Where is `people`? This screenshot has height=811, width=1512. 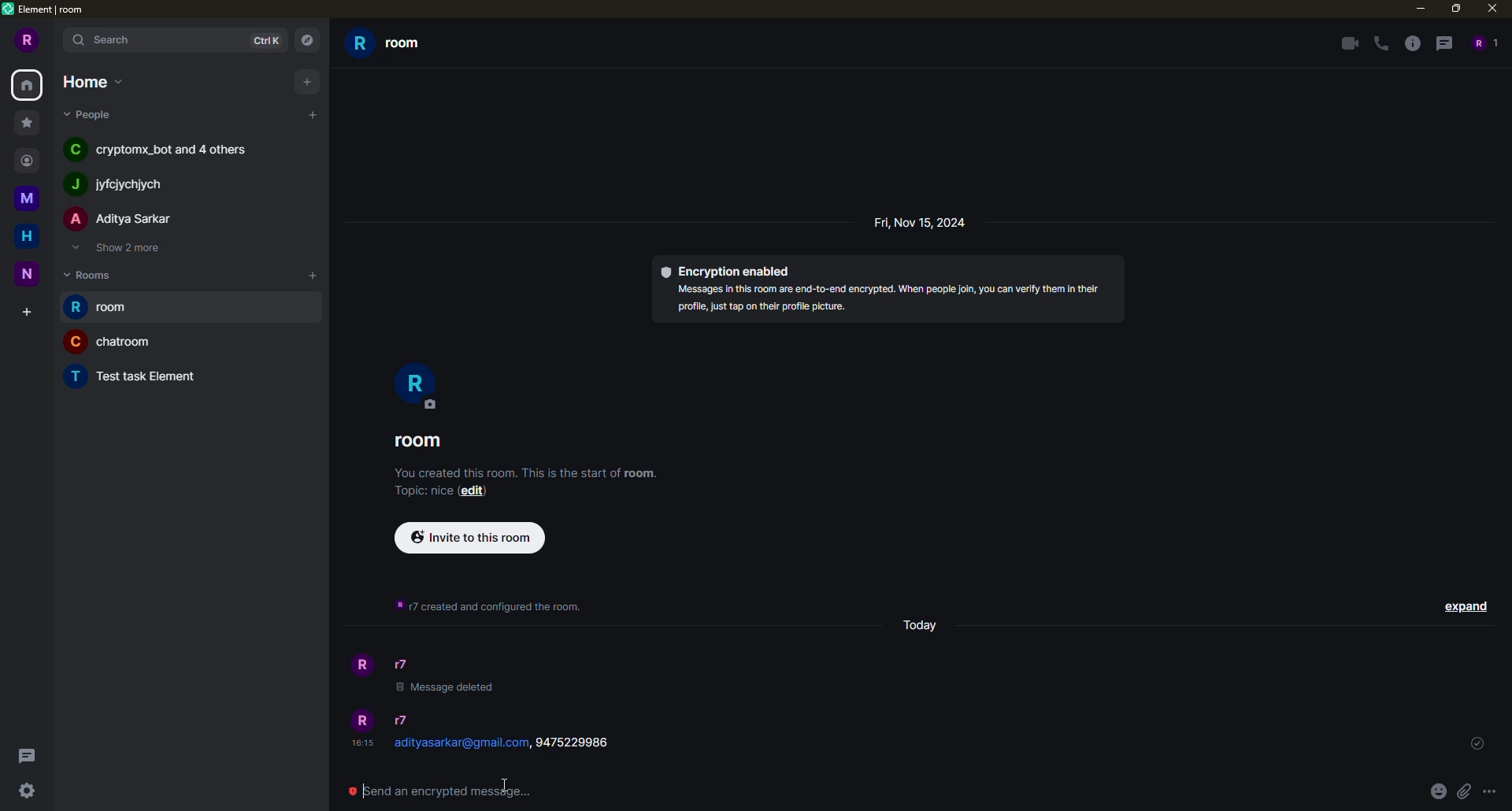 people is located at coordinates (121, 218).